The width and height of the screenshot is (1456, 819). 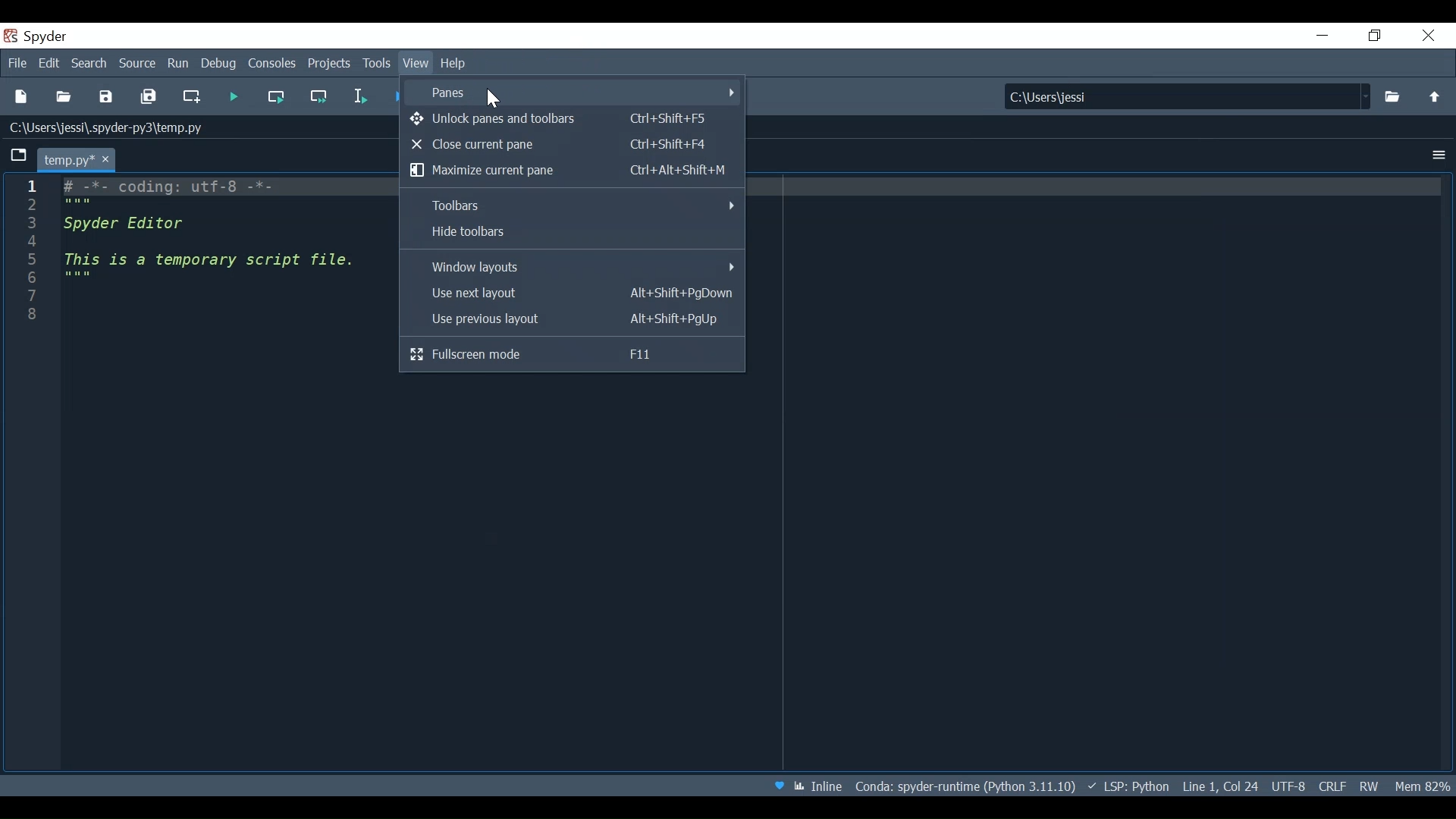 I want to click on View, so click(x=418, y=65).